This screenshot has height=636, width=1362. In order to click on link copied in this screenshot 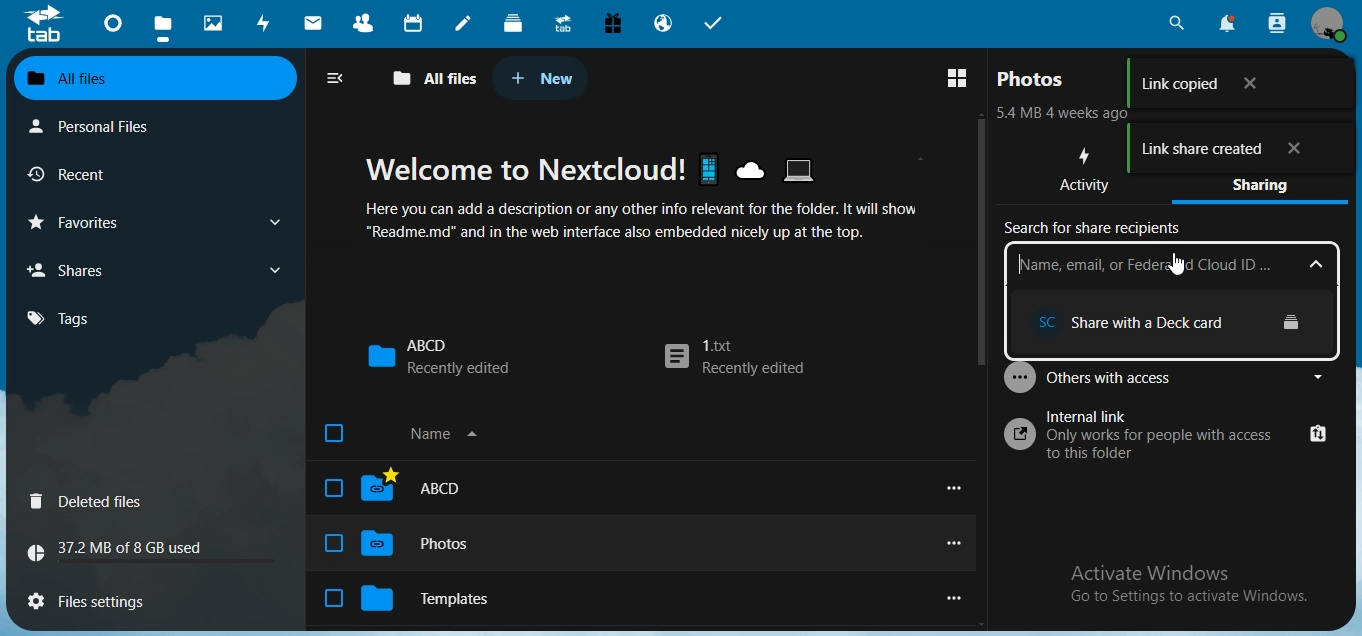, I will do `click(1234, 84)`.